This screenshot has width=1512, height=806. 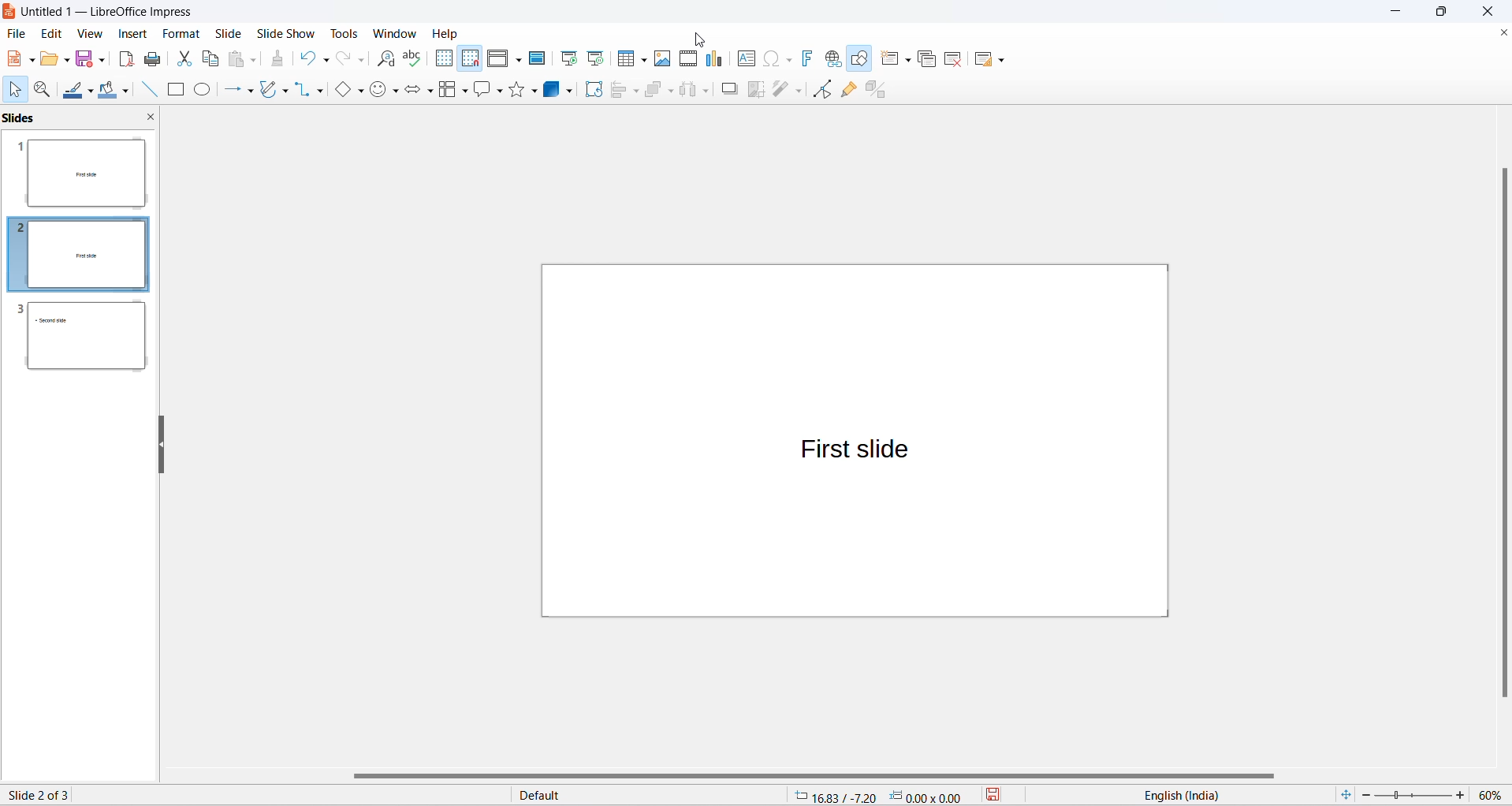 I want to click on copy, so click(x=210, y=58).